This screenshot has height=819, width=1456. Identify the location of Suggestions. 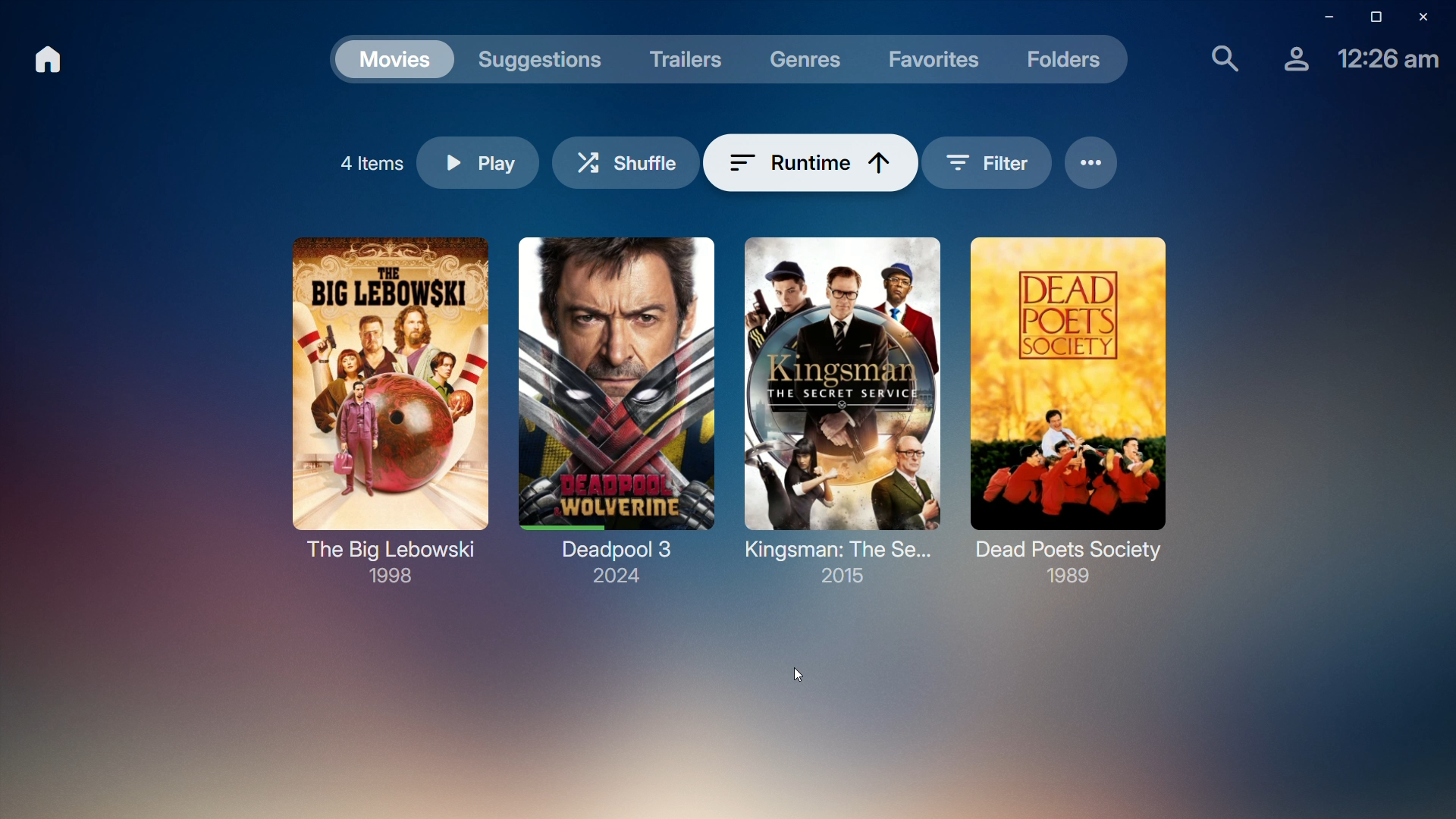
(544, 57).